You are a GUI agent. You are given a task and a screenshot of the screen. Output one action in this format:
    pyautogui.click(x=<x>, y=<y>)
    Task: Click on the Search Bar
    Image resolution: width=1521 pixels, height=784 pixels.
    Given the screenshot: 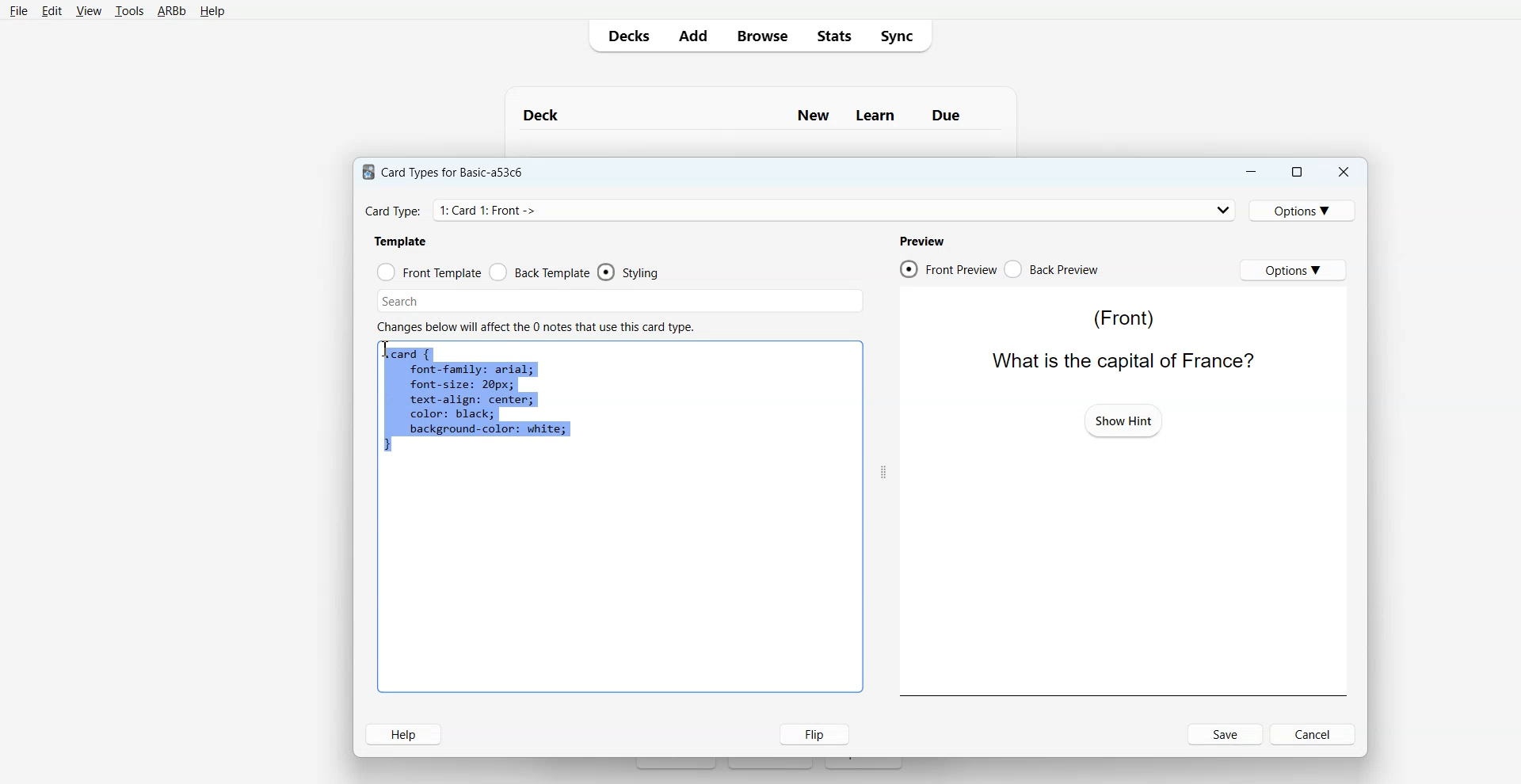 What is the action you would take?
    pyautogui.click(x=620, y=301)
    